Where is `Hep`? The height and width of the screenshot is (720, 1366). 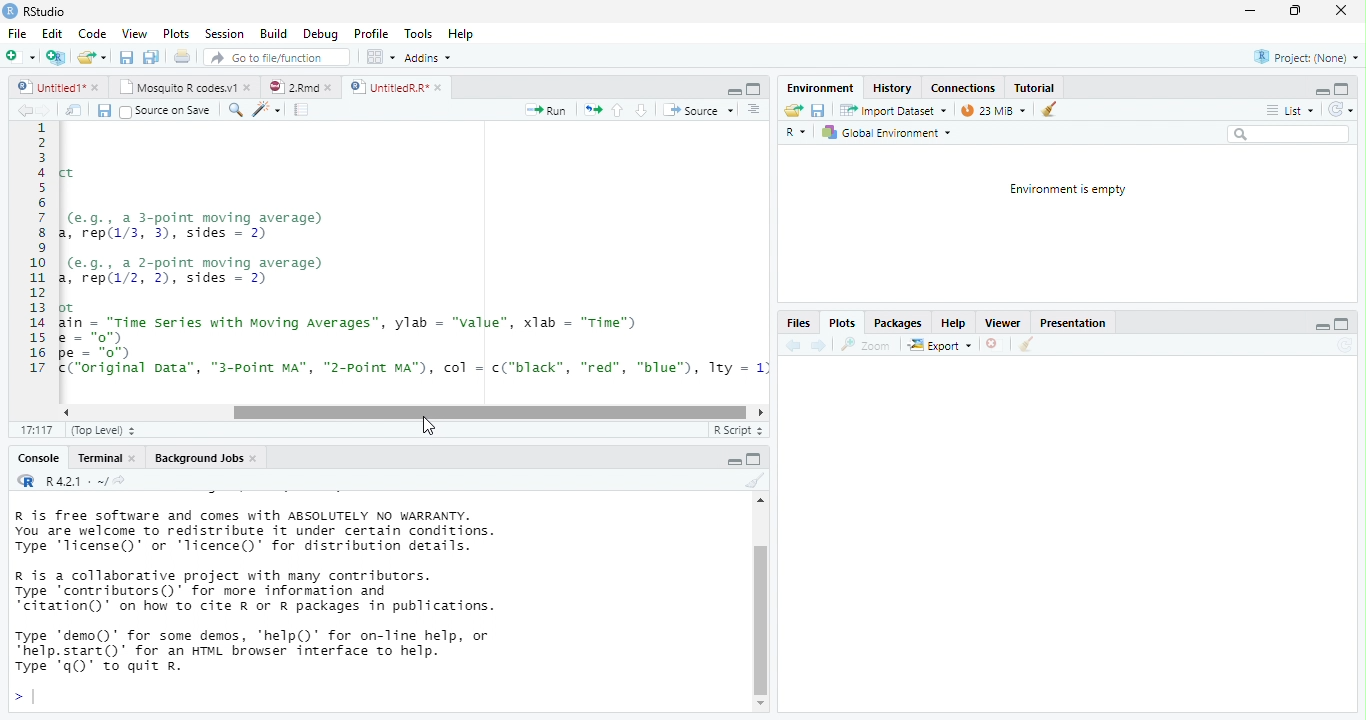
Hep is located at coordinates (460, 34).